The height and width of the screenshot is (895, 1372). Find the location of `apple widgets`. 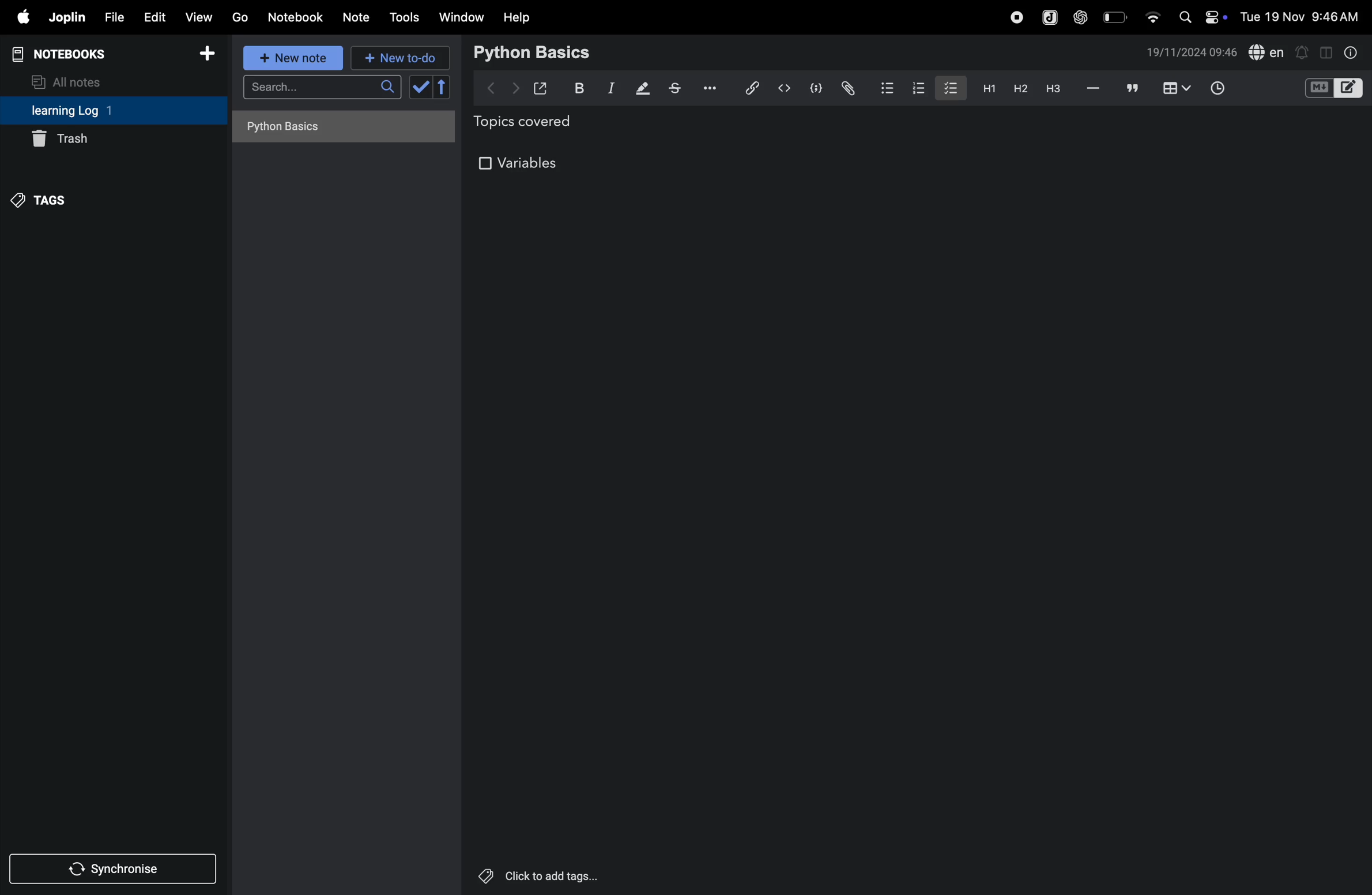

apple widgets is located at coordinates (1200, 16).